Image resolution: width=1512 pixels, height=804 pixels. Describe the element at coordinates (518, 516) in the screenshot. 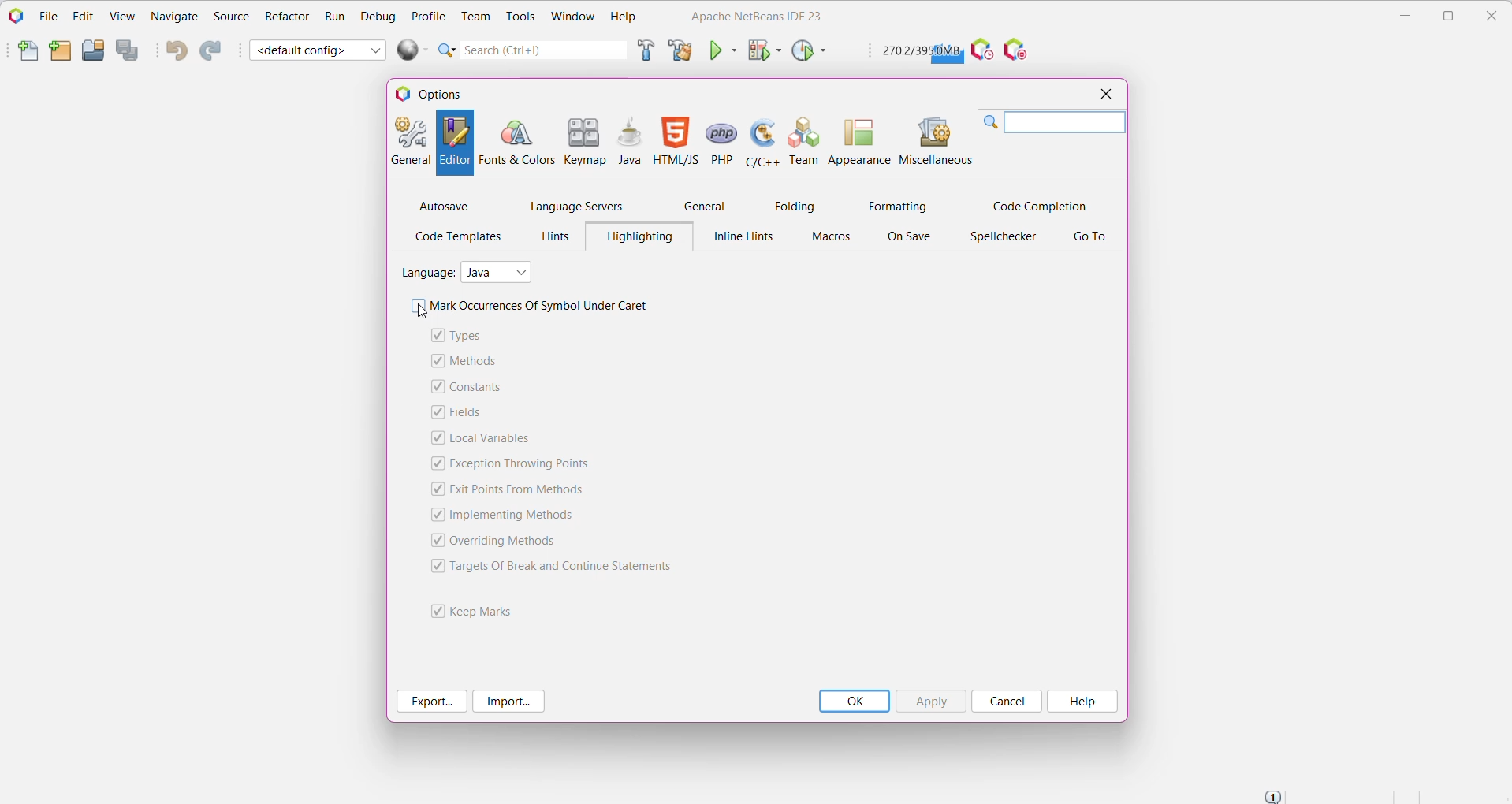

I see `Implementing Methods - click ro enable` at that location.